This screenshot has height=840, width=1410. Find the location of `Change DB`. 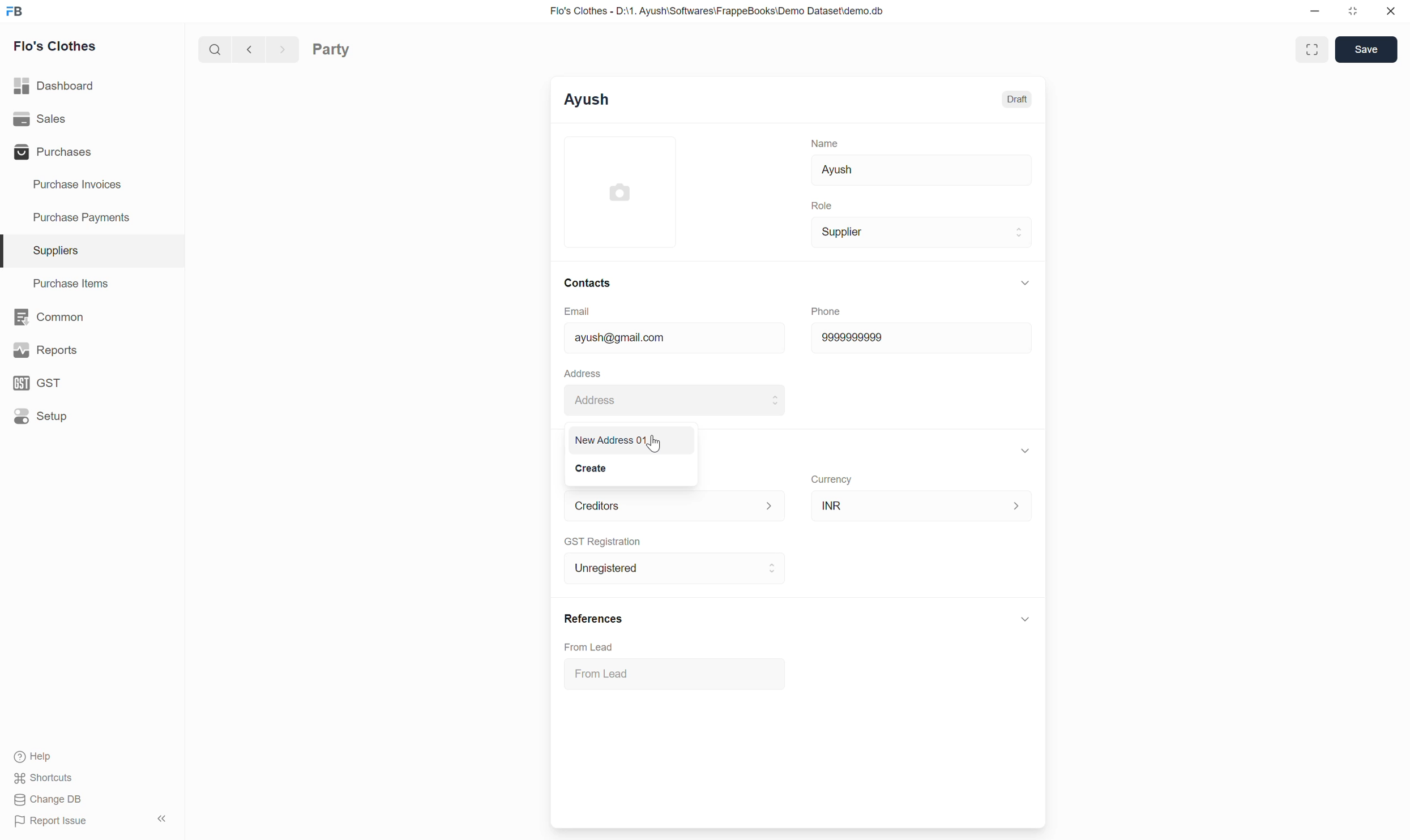

Change DB is located at coordinates (50, 799).